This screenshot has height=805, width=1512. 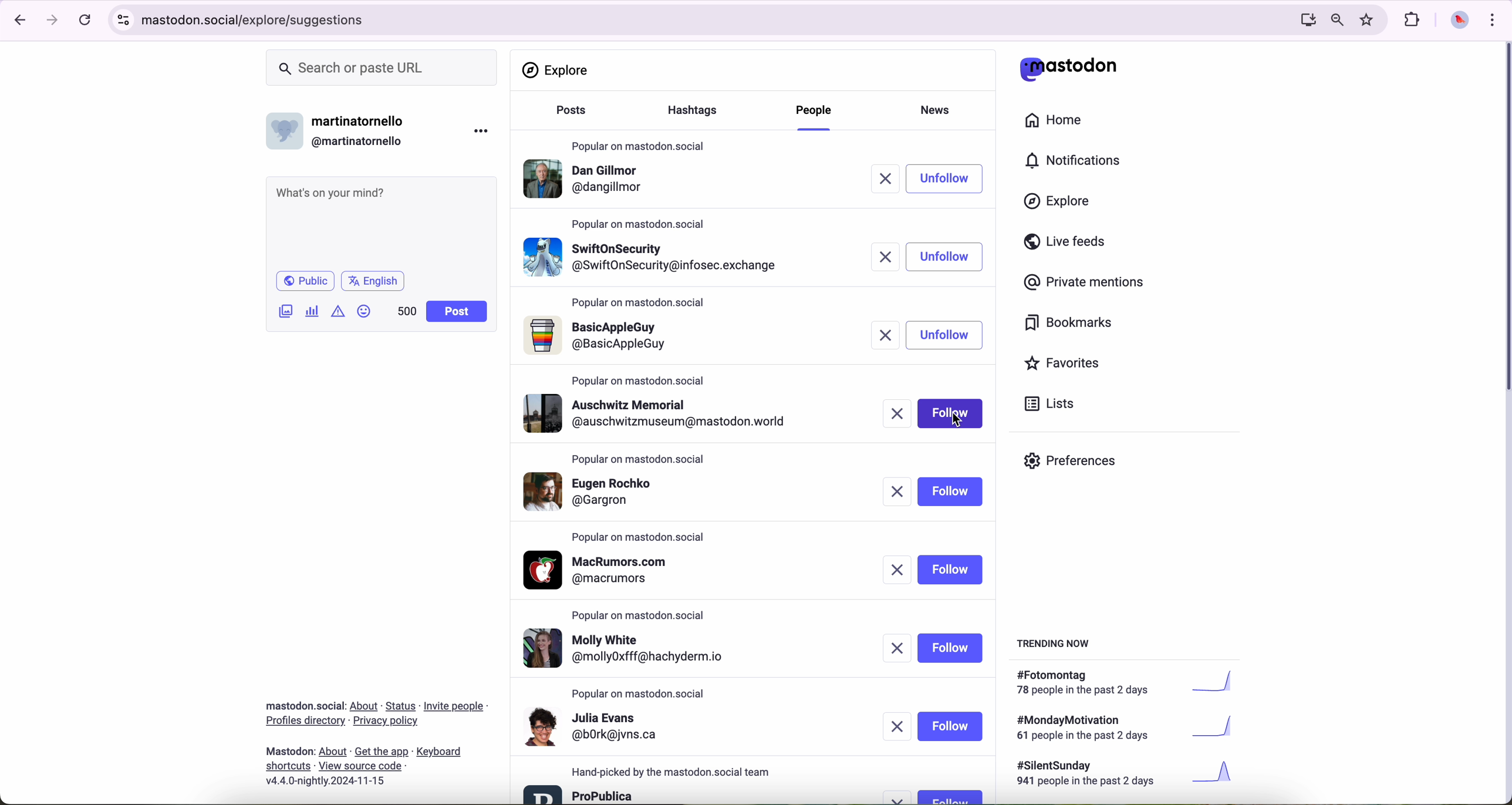 I want to click on icon, so click(x=339, y=311).